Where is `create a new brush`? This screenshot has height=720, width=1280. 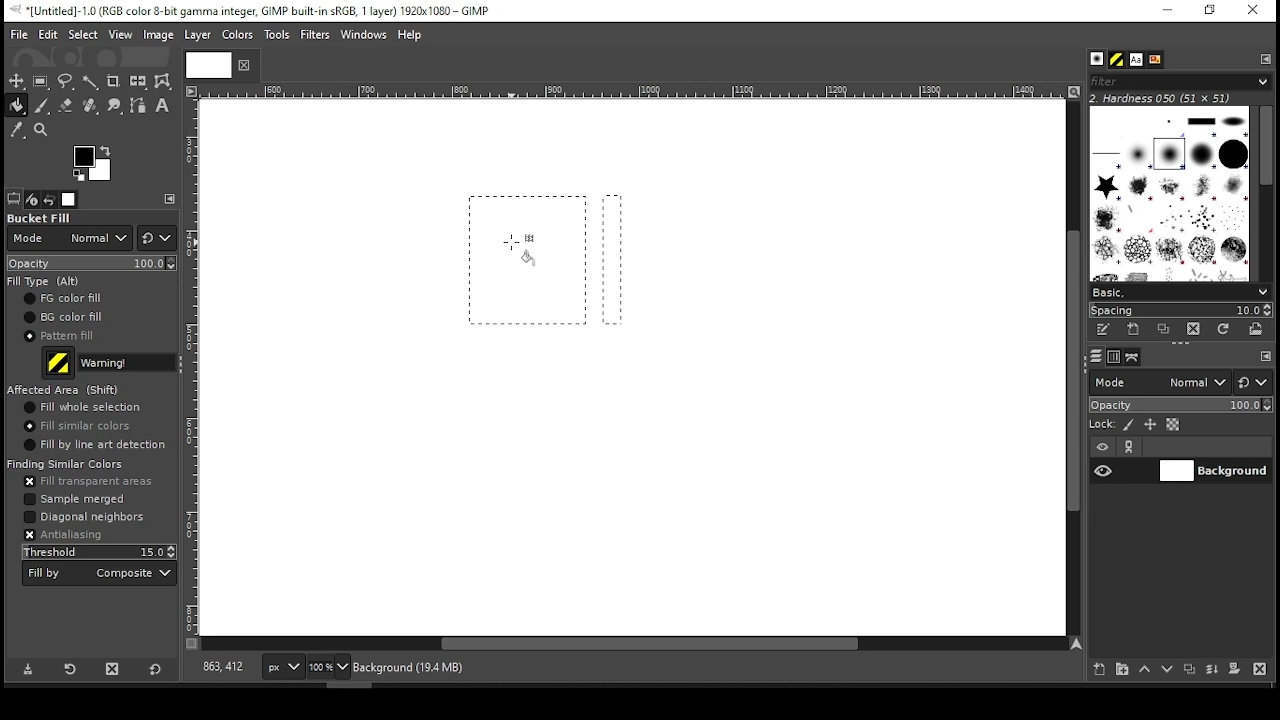 create a new brush is located at coordinates (1136, 329).